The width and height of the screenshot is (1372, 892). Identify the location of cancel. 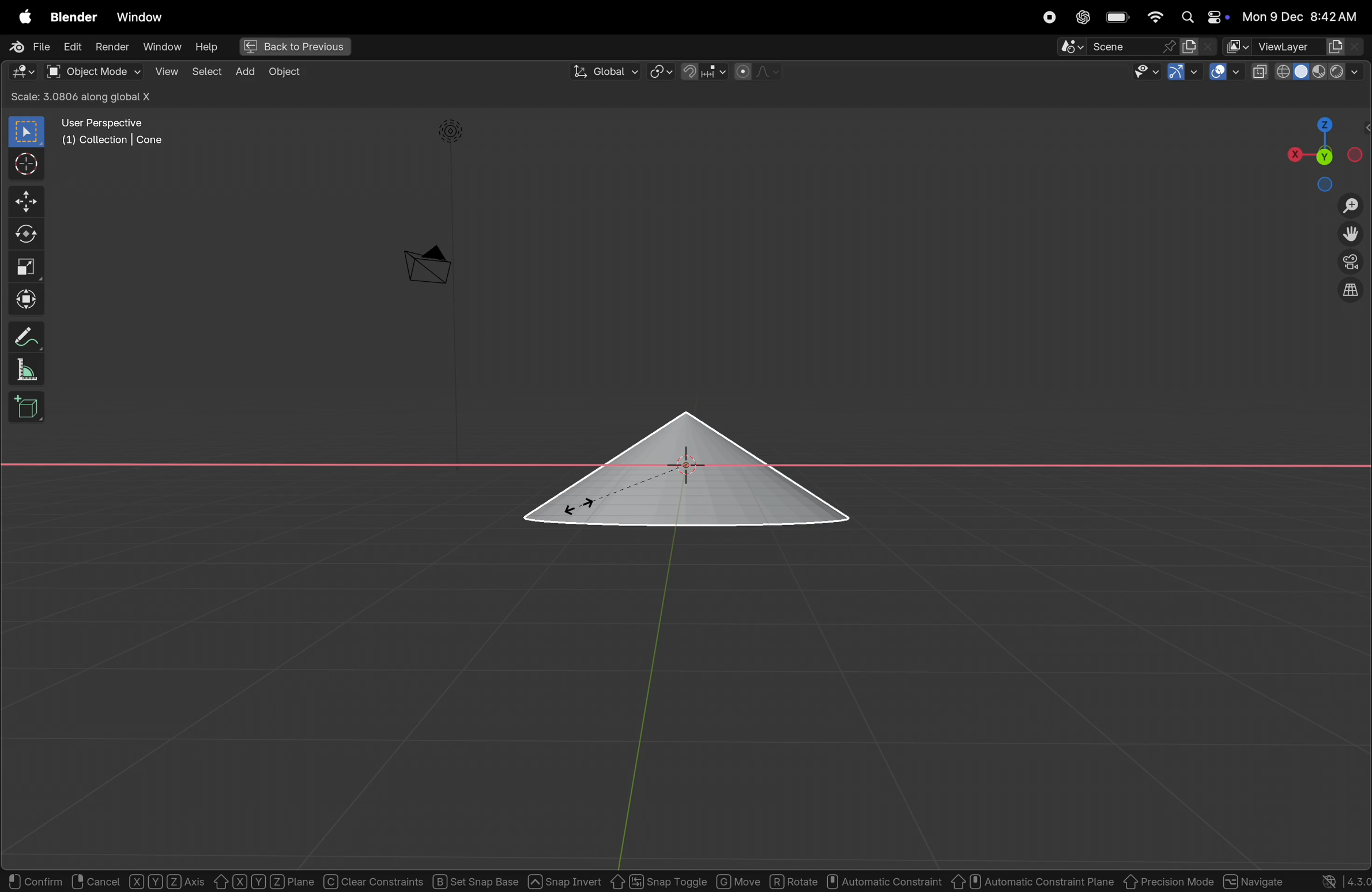
(95, 880).